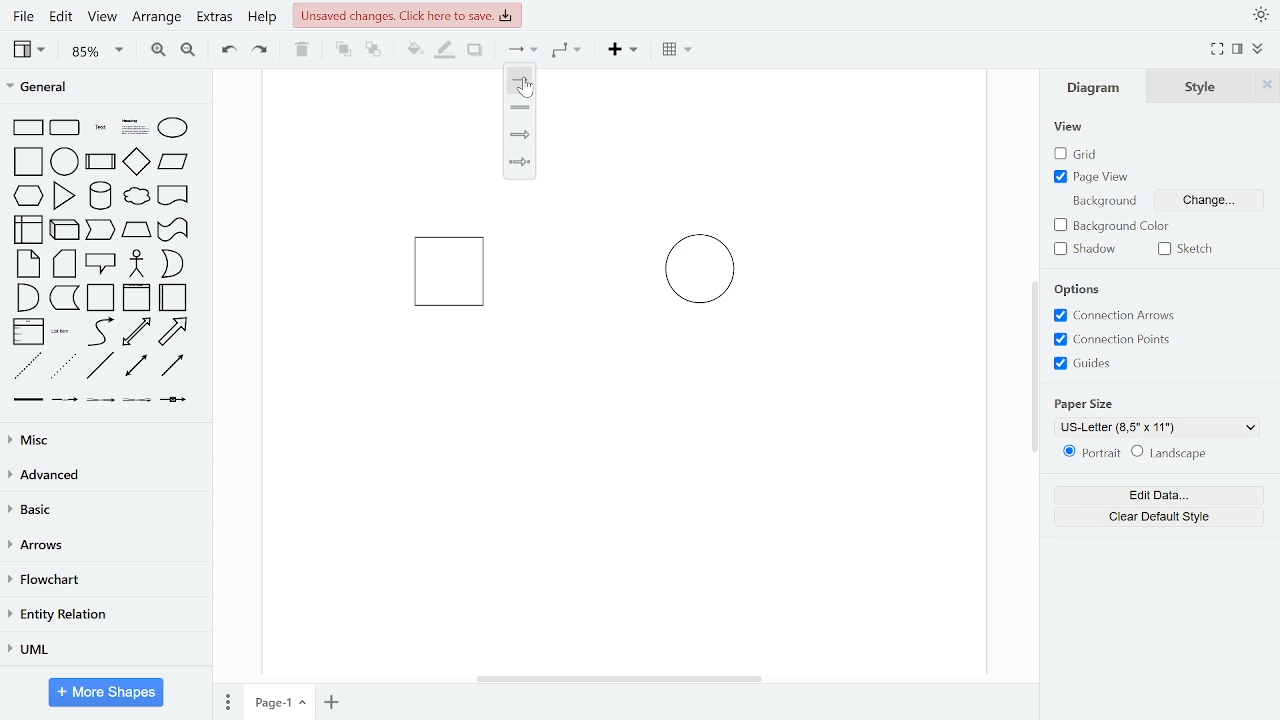  What do you see at coordinates (572, 50) in the screenshot?
I see `waypoints` at bounding box center [572, 50].